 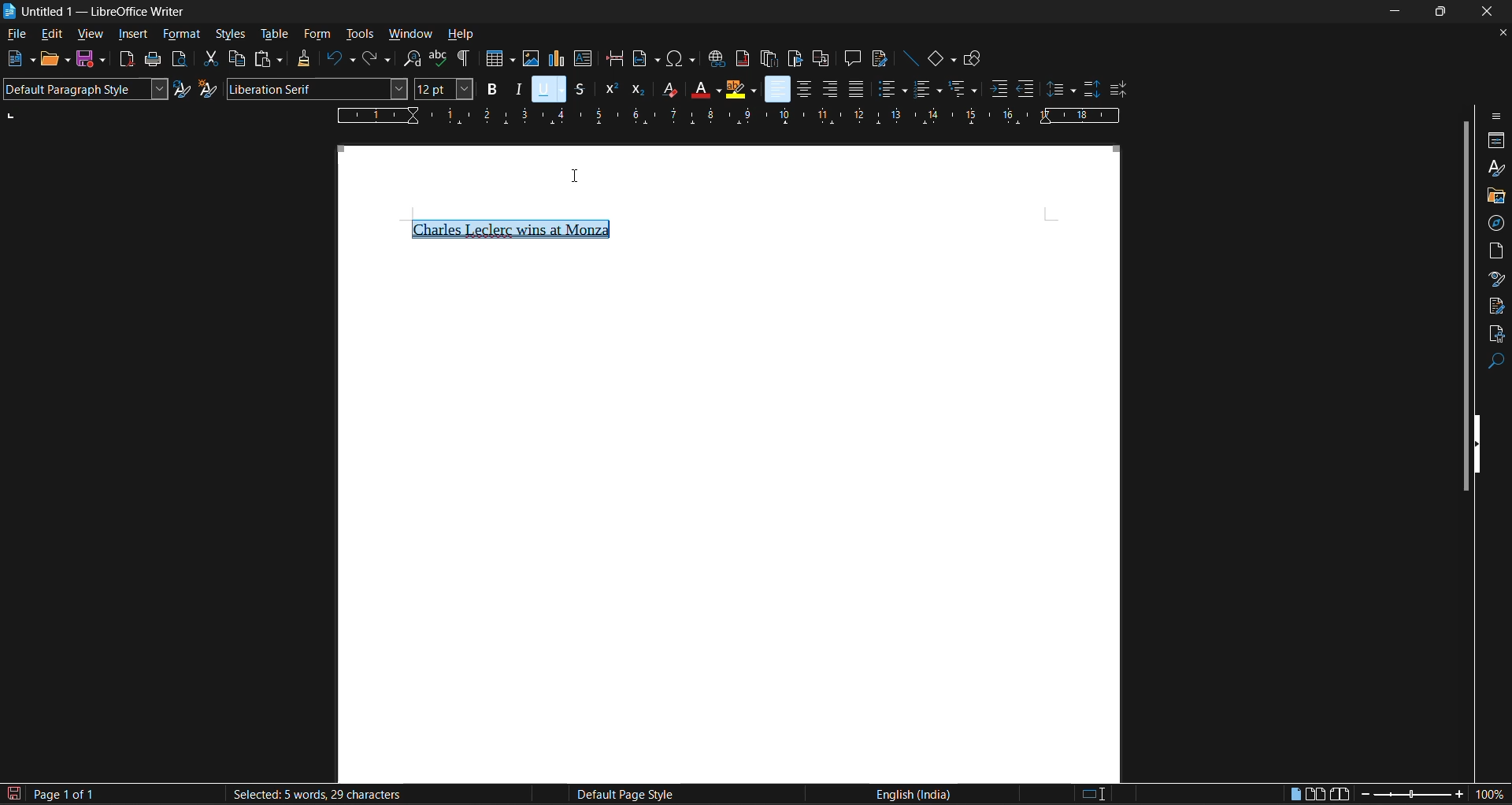 What do you see at coordinates (1460, 795) in the screenshot?
I see `zoom in` at bounding box center [1460, 795].